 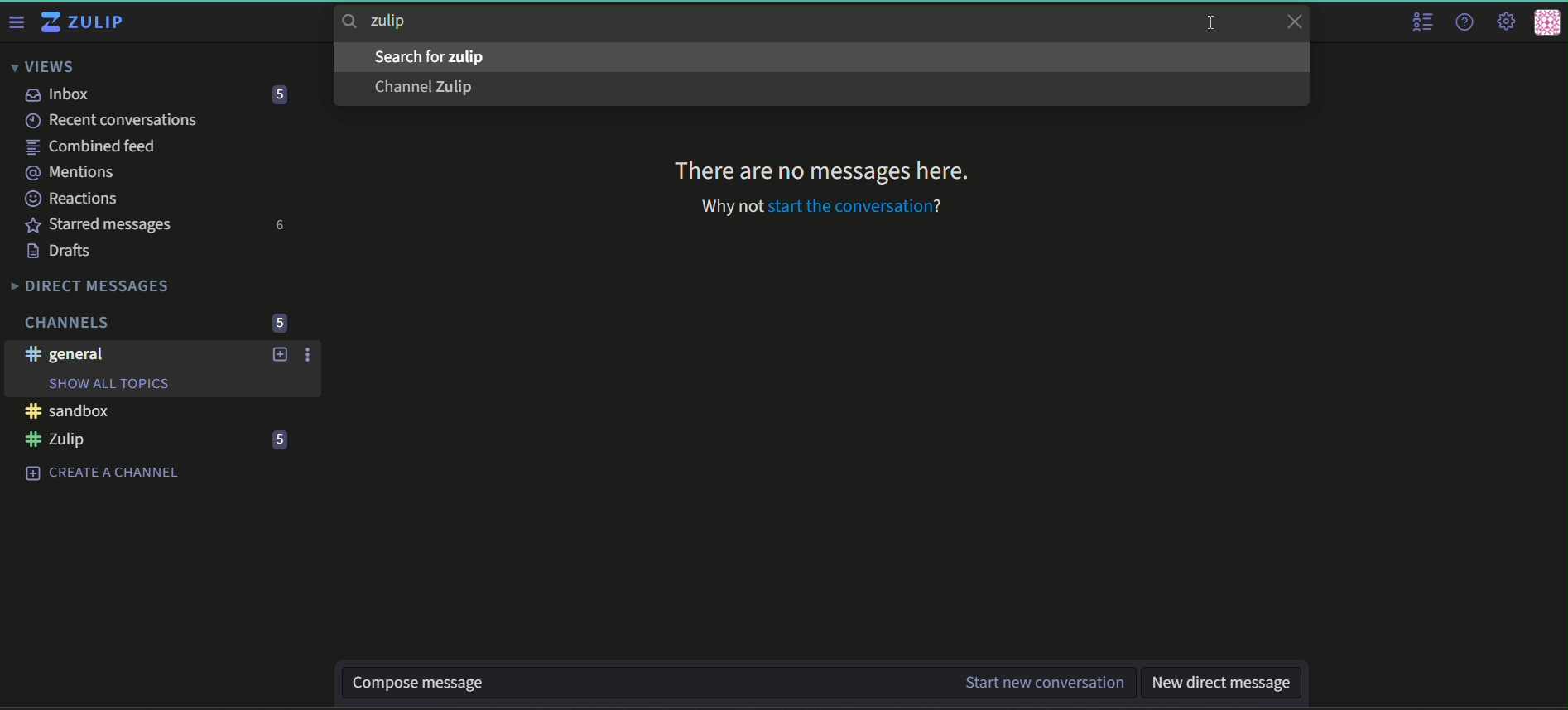 What do you see at coordinates (112, 383) in the screenshot?
I see `Show all topics` at bounding box center [112, 383].